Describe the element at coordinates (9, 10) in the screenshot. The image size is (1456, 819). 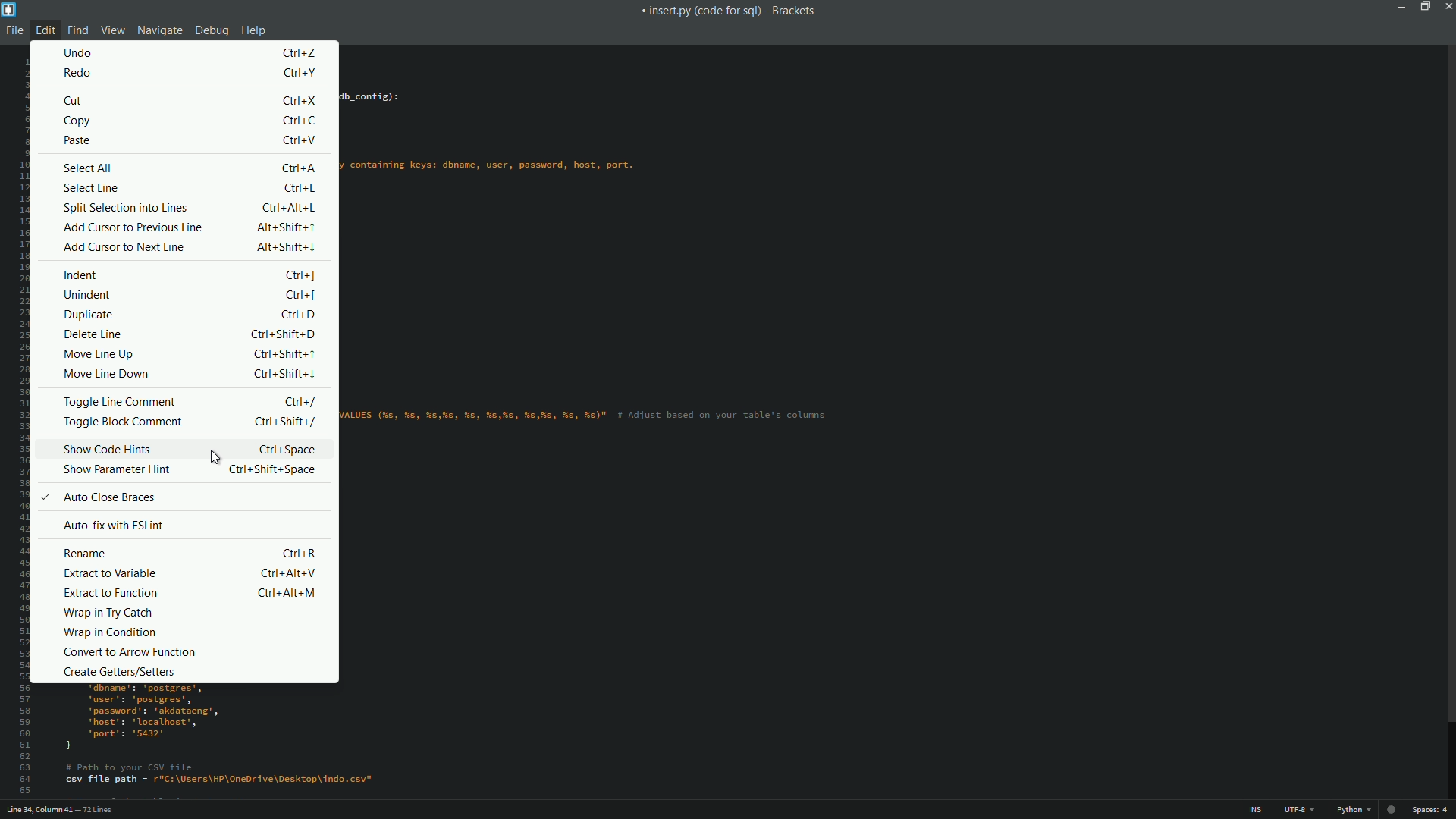
I see `app icon` at that location.